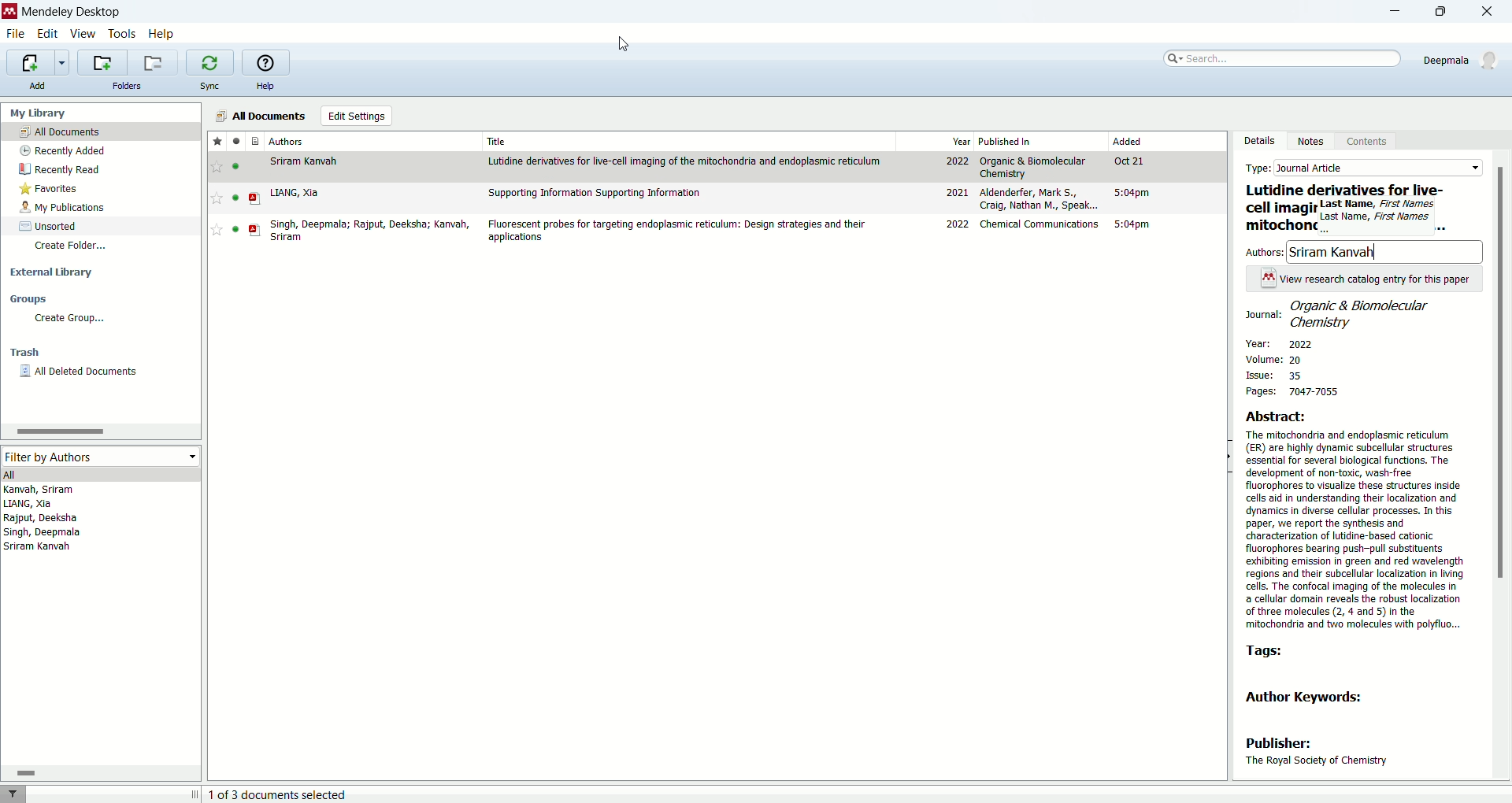  What do you see at coordinates (255, 141) in the screenshot?
I see `documents type` at bounding box center [255, 141].